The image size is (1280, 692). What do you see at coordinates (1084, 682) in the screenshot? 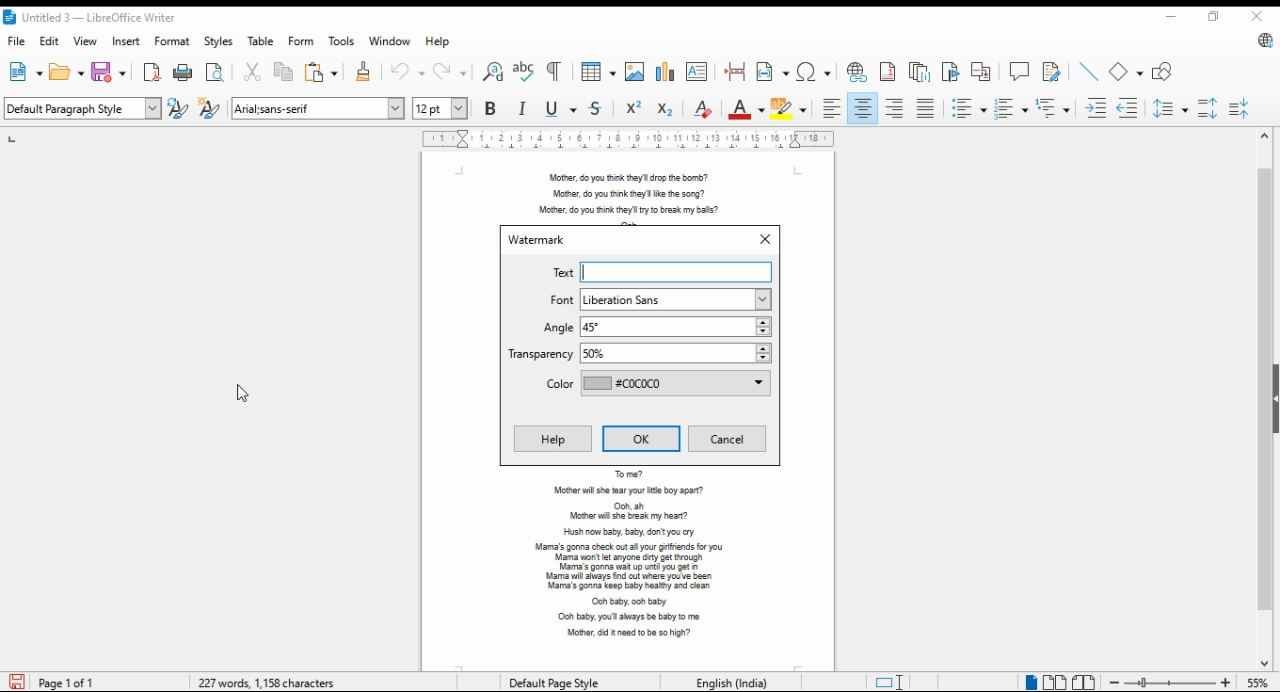
I see `book view` at bounding box center [1084, 682].